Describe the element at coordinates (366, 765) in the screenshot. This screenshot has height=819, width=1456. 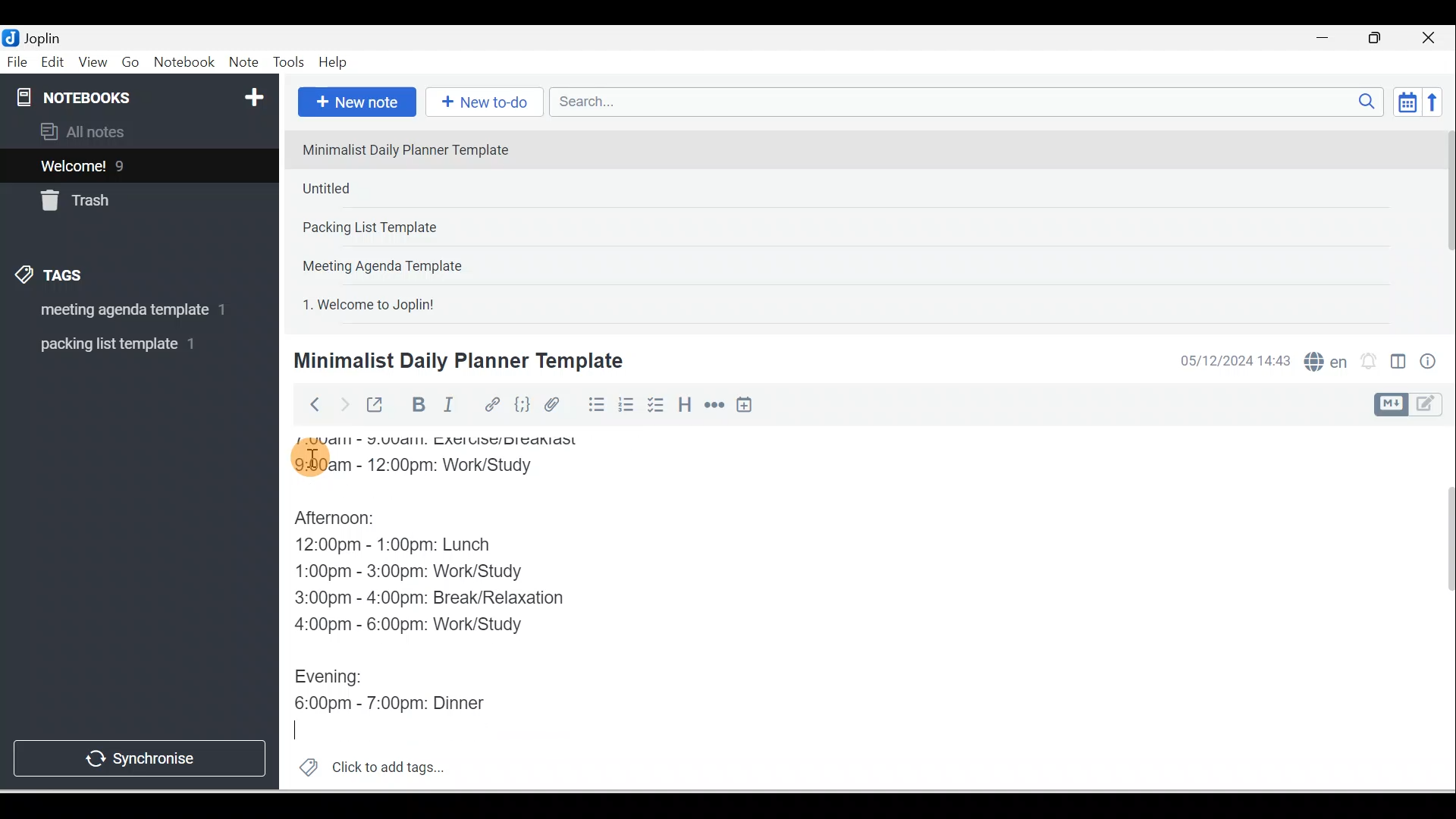
I see `Click to add tags` at that location.